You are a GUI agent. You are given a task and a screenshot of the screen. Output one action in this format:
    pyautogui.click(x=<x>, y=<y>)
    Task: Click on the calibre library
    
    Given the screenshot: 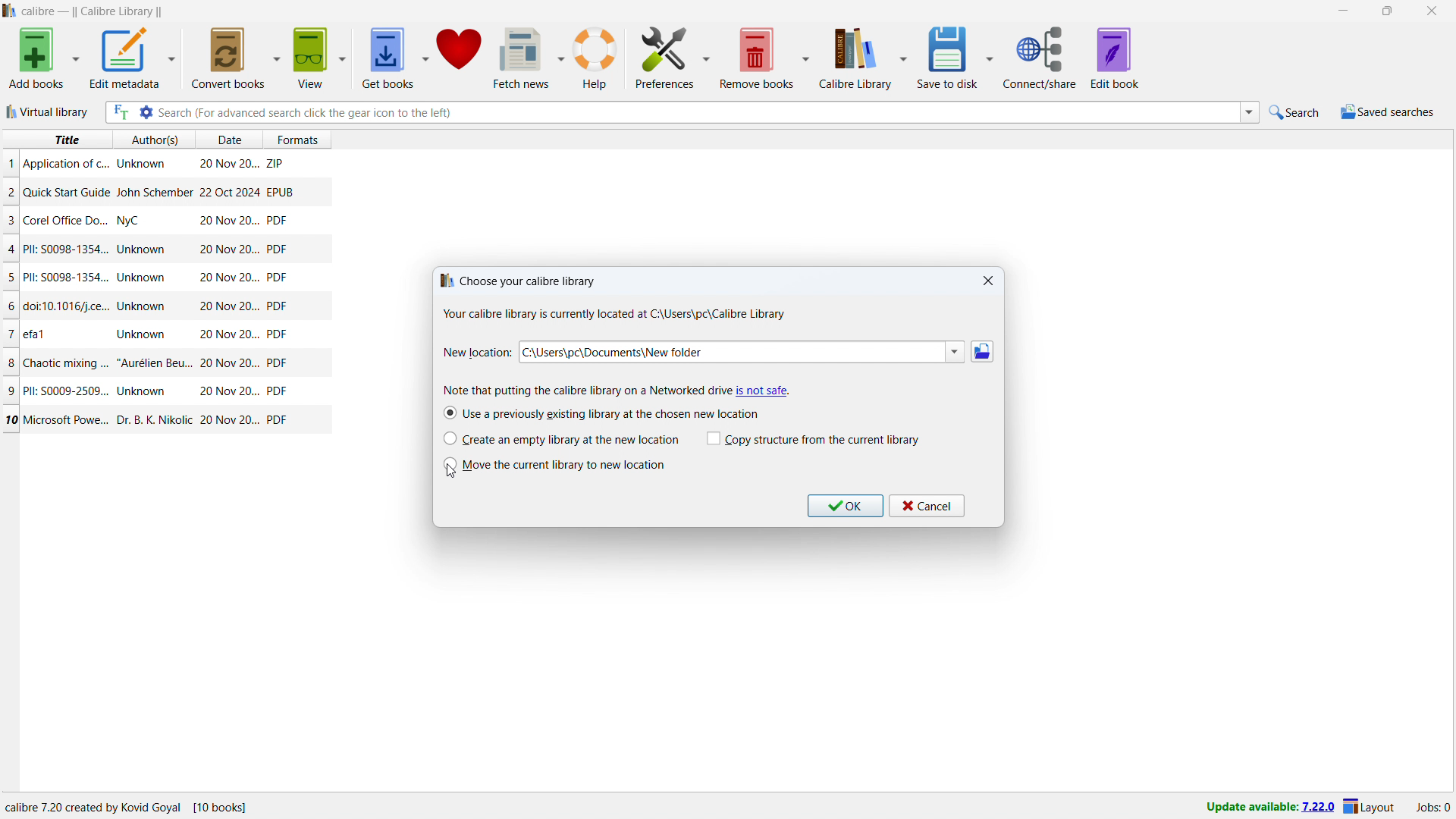 What is the action you would take?
    pyautogui.click(x=852, y=60)
    